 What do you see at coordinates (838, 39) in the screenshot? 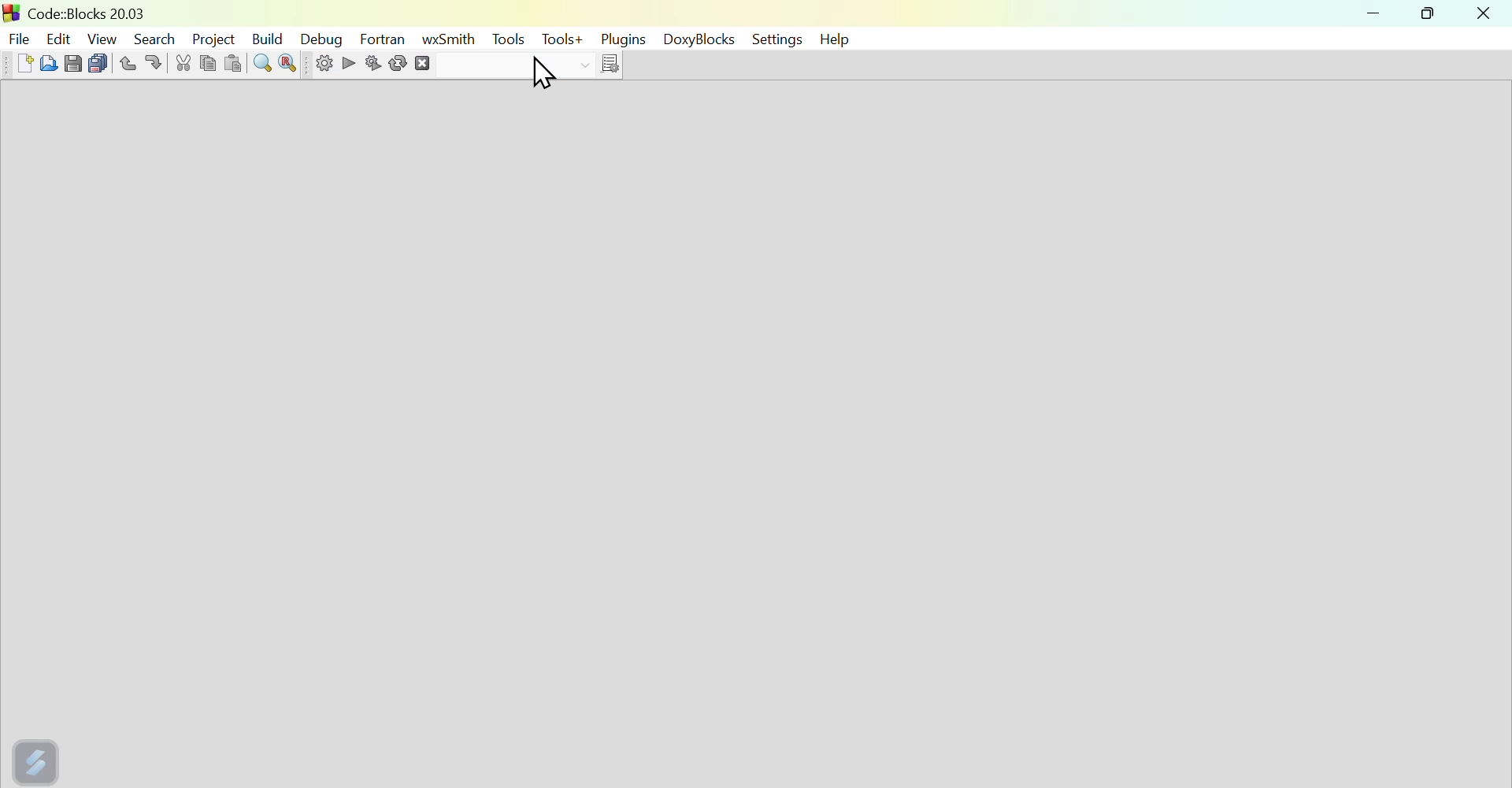
I see `Help` at bounding box center [838, 39].